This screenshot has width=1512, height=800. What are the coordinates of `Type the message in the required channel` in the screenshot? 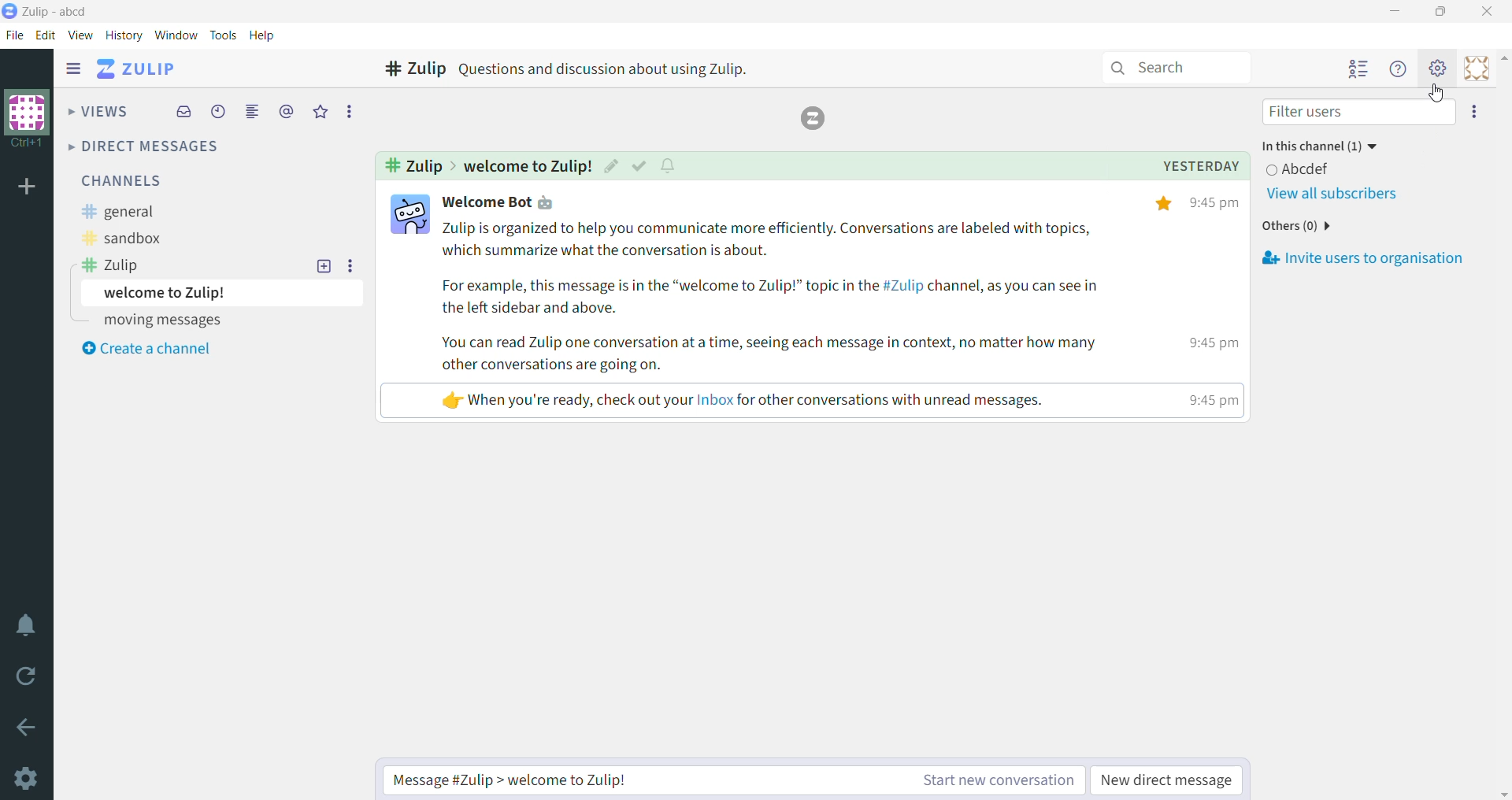 It's located at (632, 780).